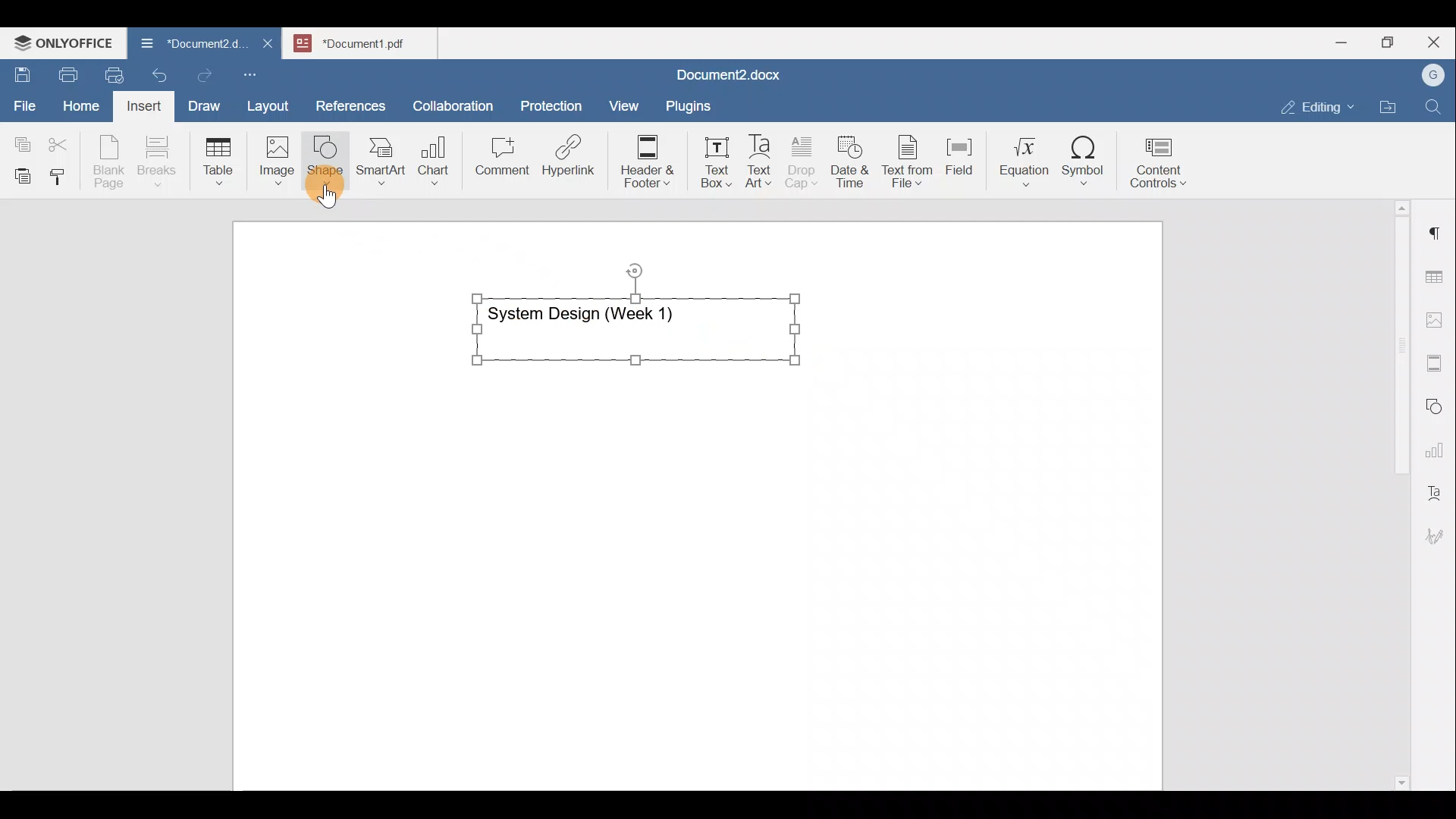 Image resolution: width=1456 pixels, height=819 pixels. Describe the element at coordinates (65, 72) in the screenshot. I see `Print file` at that location.